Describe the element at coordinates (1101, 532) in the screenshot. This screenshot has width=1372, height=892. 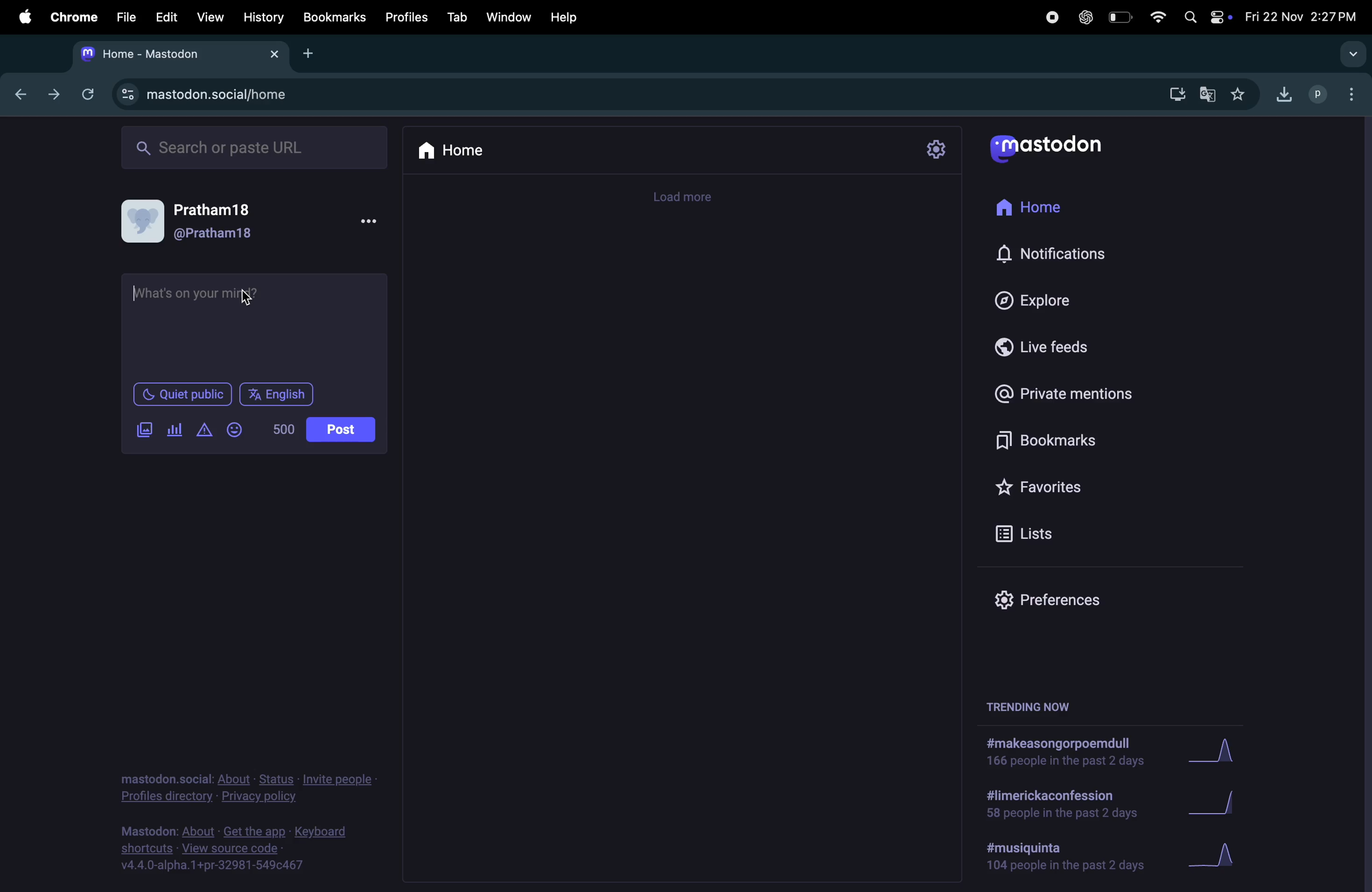
I see `lists` at that location.